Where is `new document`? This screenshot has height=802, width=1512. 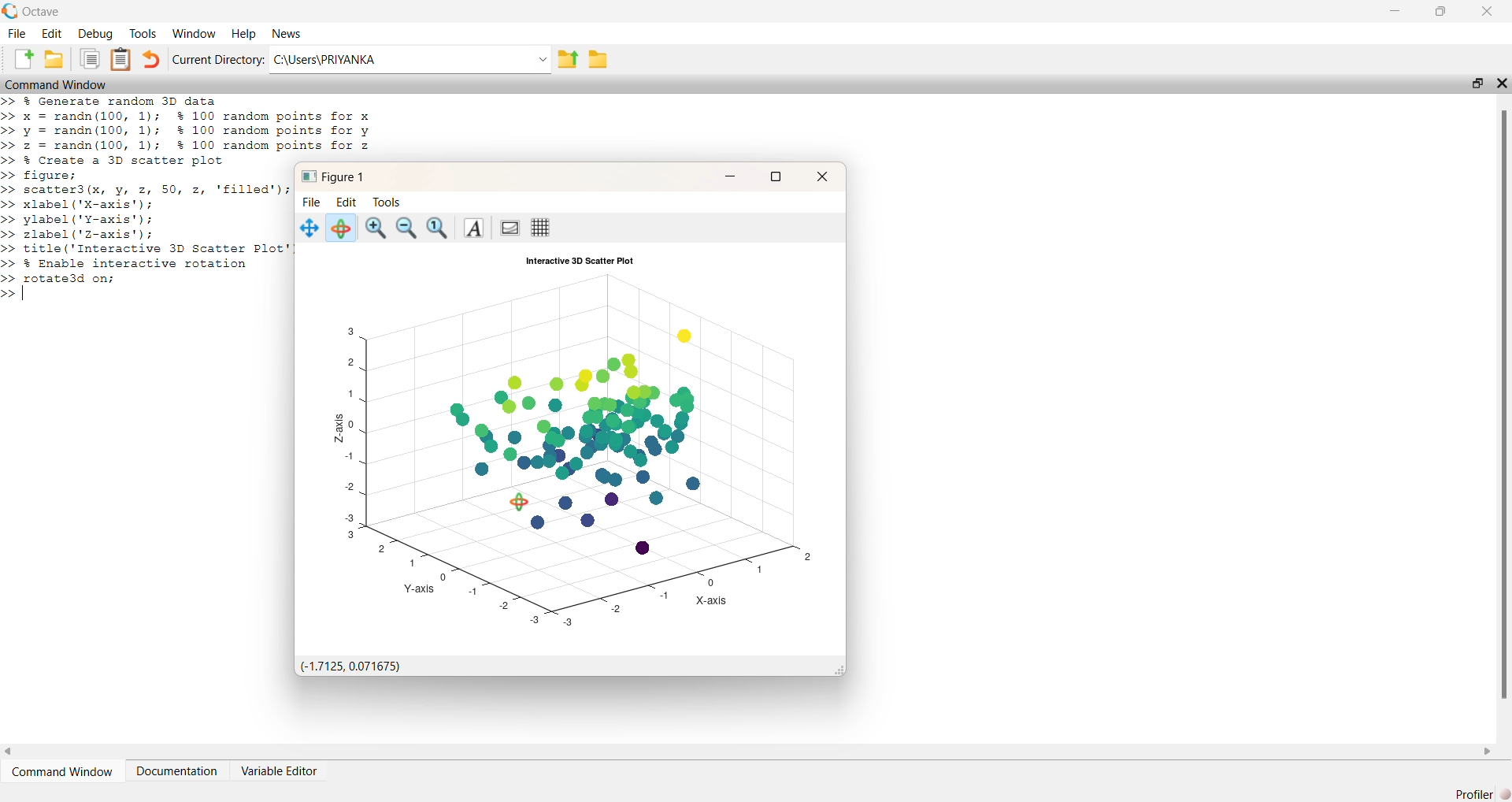 new document is located at coordinates (23, 58).